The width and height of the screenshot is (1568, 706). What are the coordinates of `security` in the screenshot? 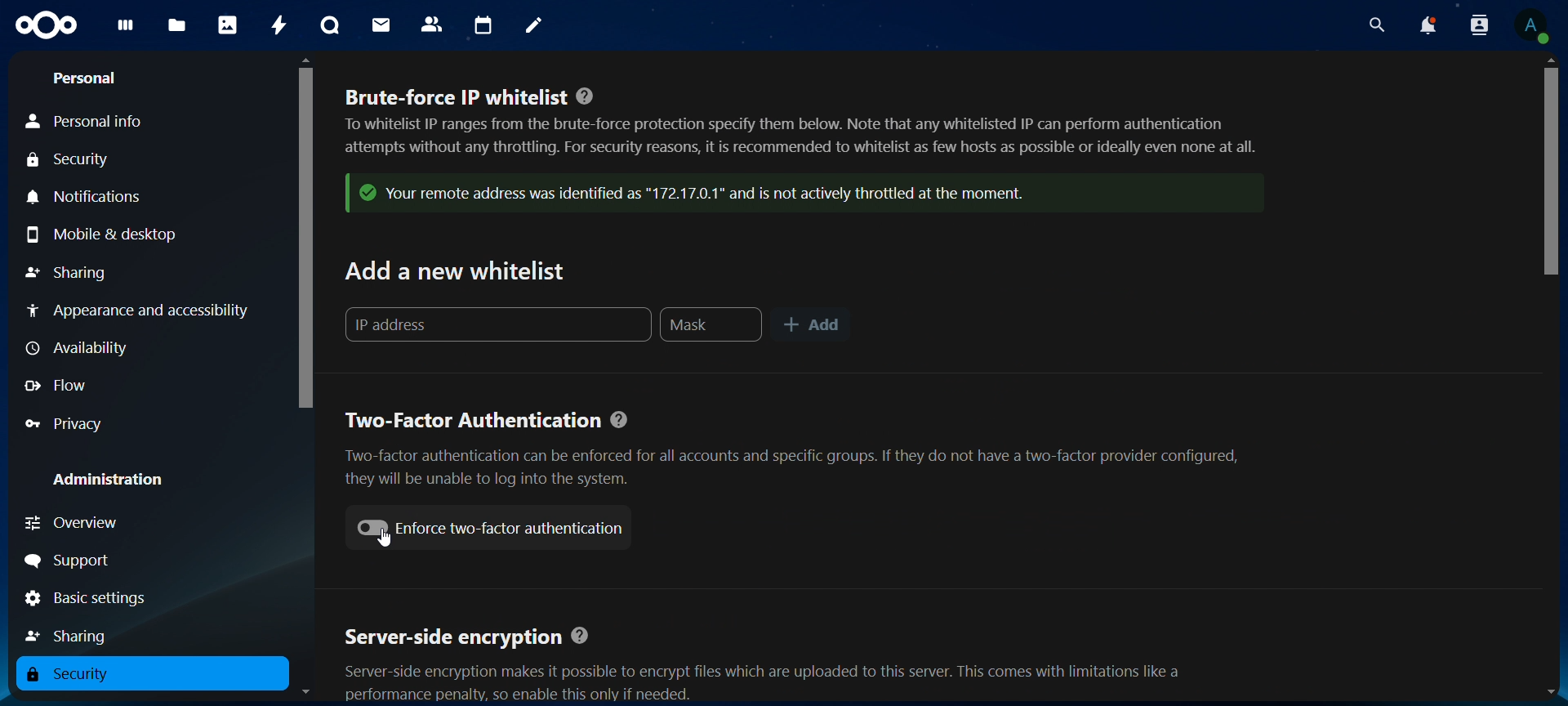 It's located at (69, 161).